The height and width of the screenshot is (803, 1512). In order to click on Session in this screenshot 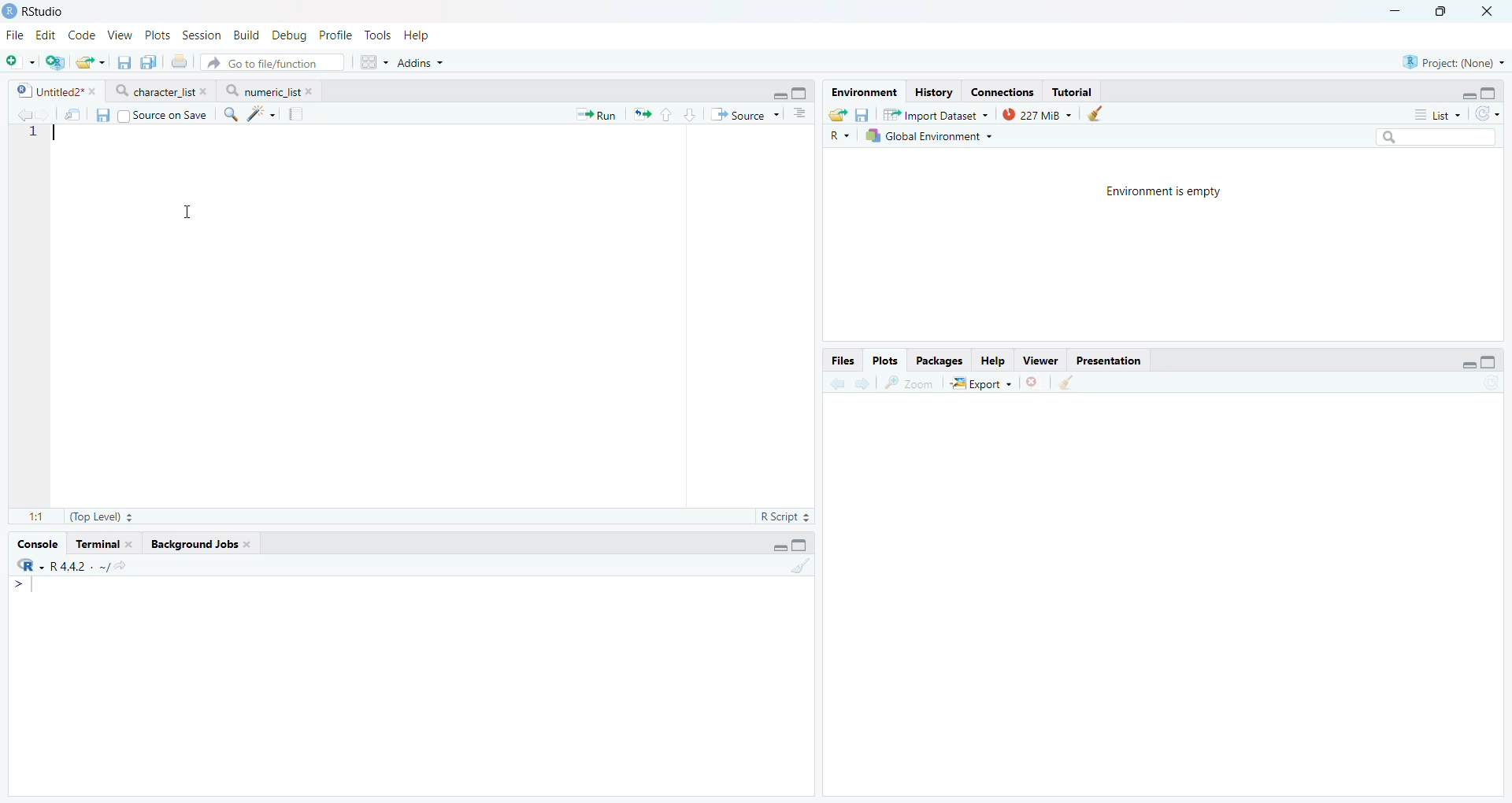, I will do `click(202, 34)`.